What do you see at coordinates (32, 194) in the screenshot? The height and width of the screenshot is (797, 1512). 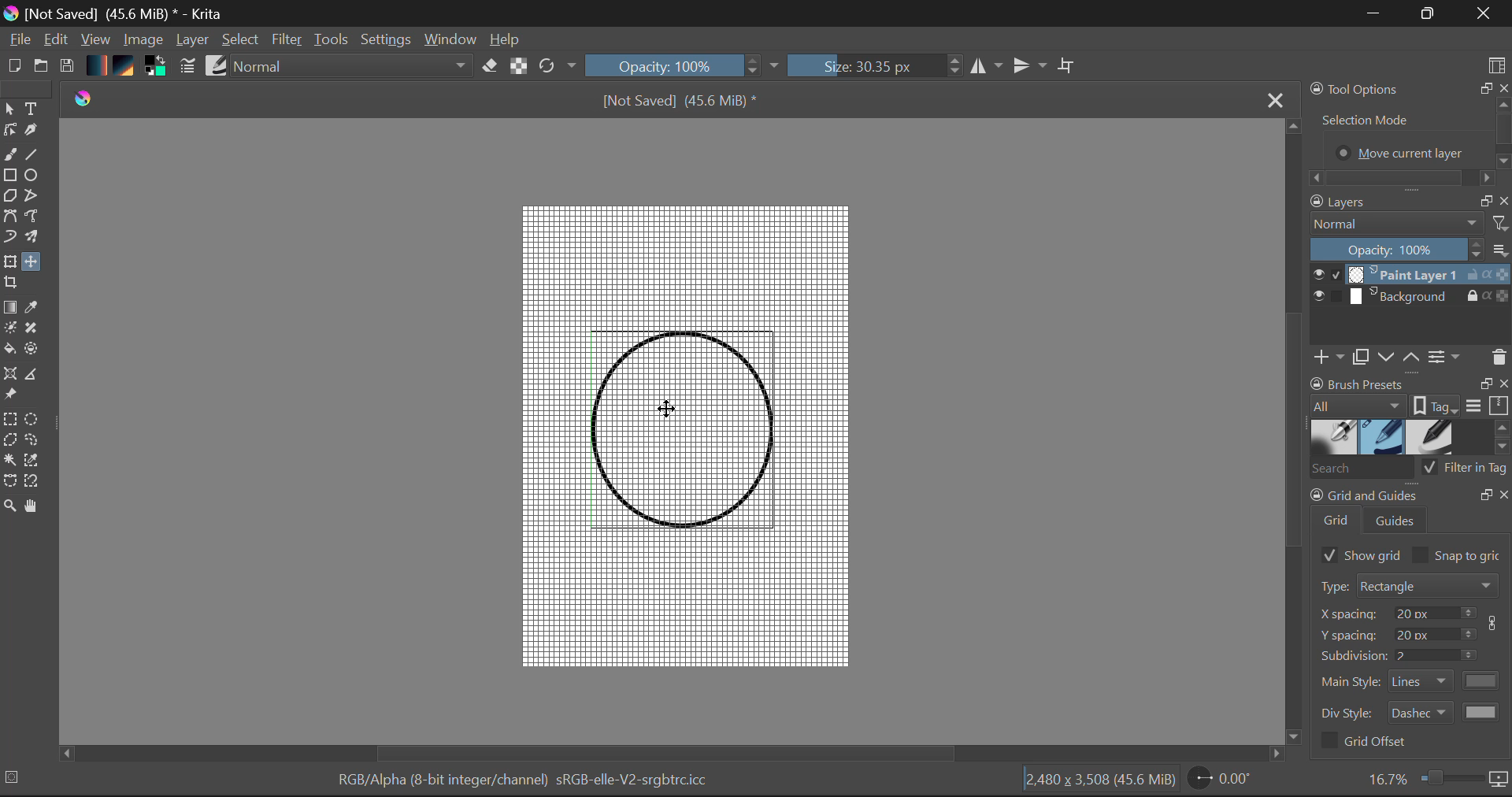 I see `Polyline` at bounding box center [32, 194].